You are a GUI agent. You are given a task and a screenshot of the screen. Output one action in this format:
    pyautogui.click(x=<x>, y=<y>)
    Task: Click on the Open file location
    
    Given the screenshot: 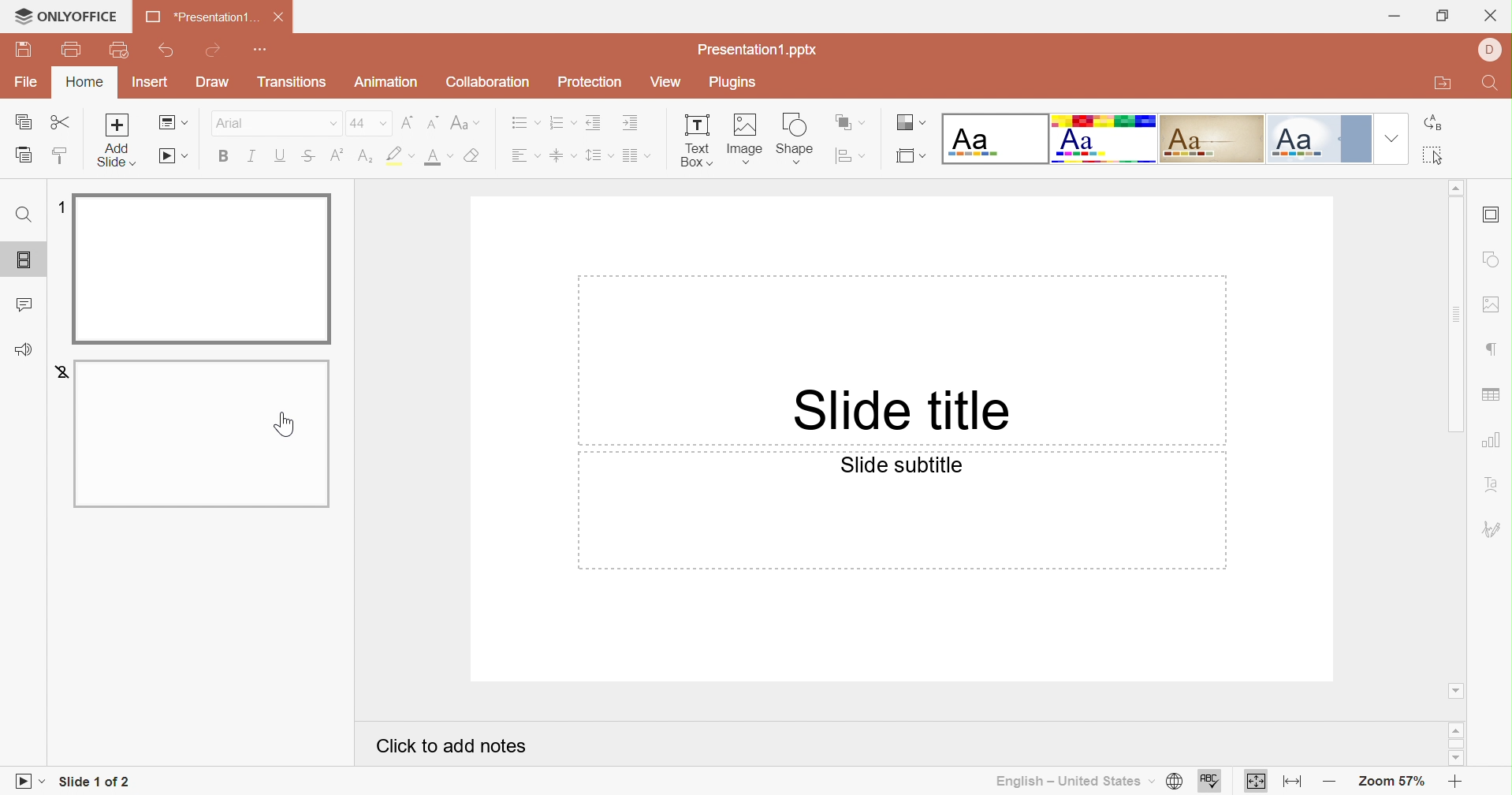 What is the action you would take?
    pyautogui.click(x=1439, y=83)
    